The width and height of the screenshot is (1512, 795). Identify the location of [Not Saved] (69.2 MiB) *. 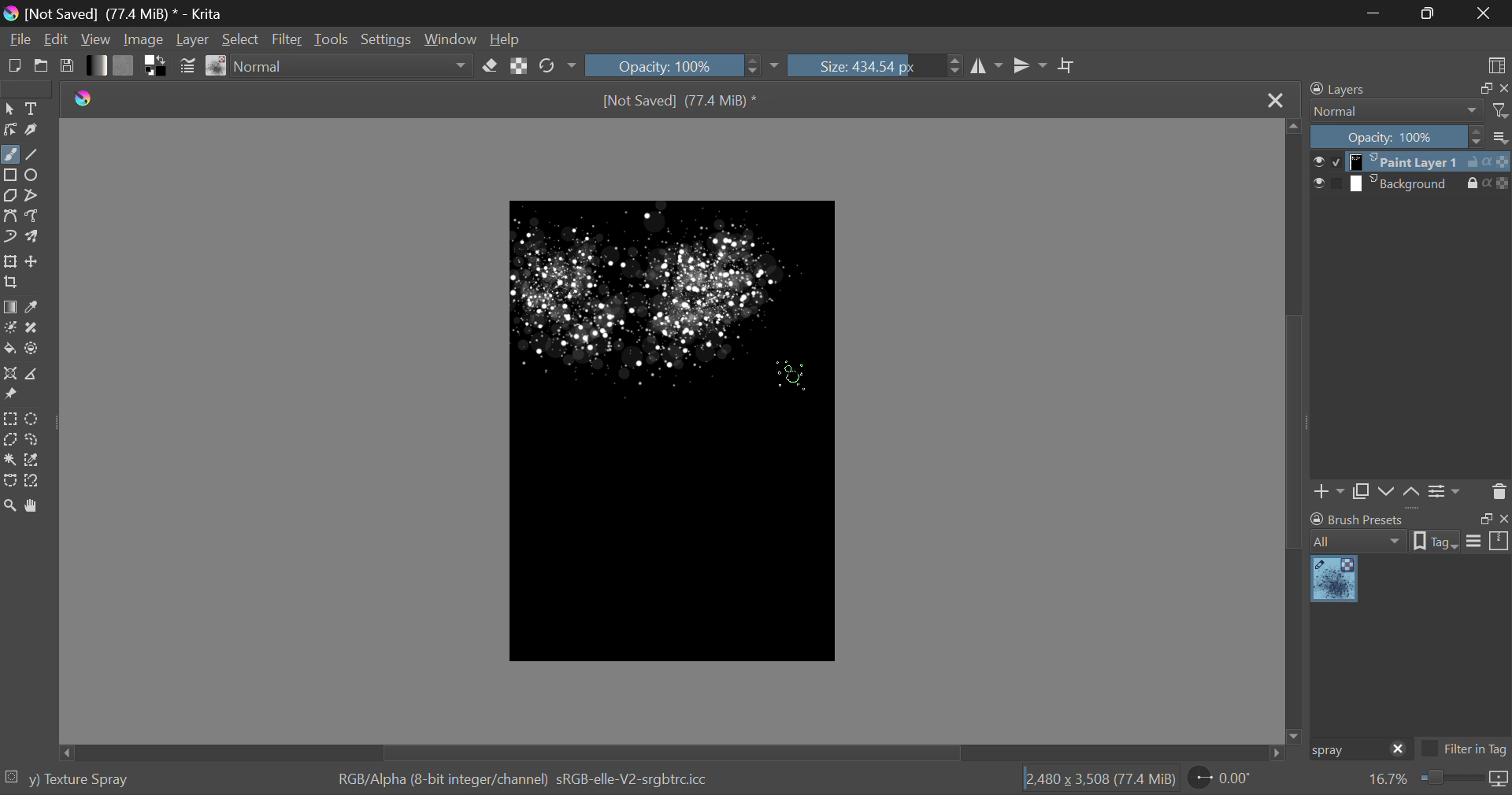
(680, 102).